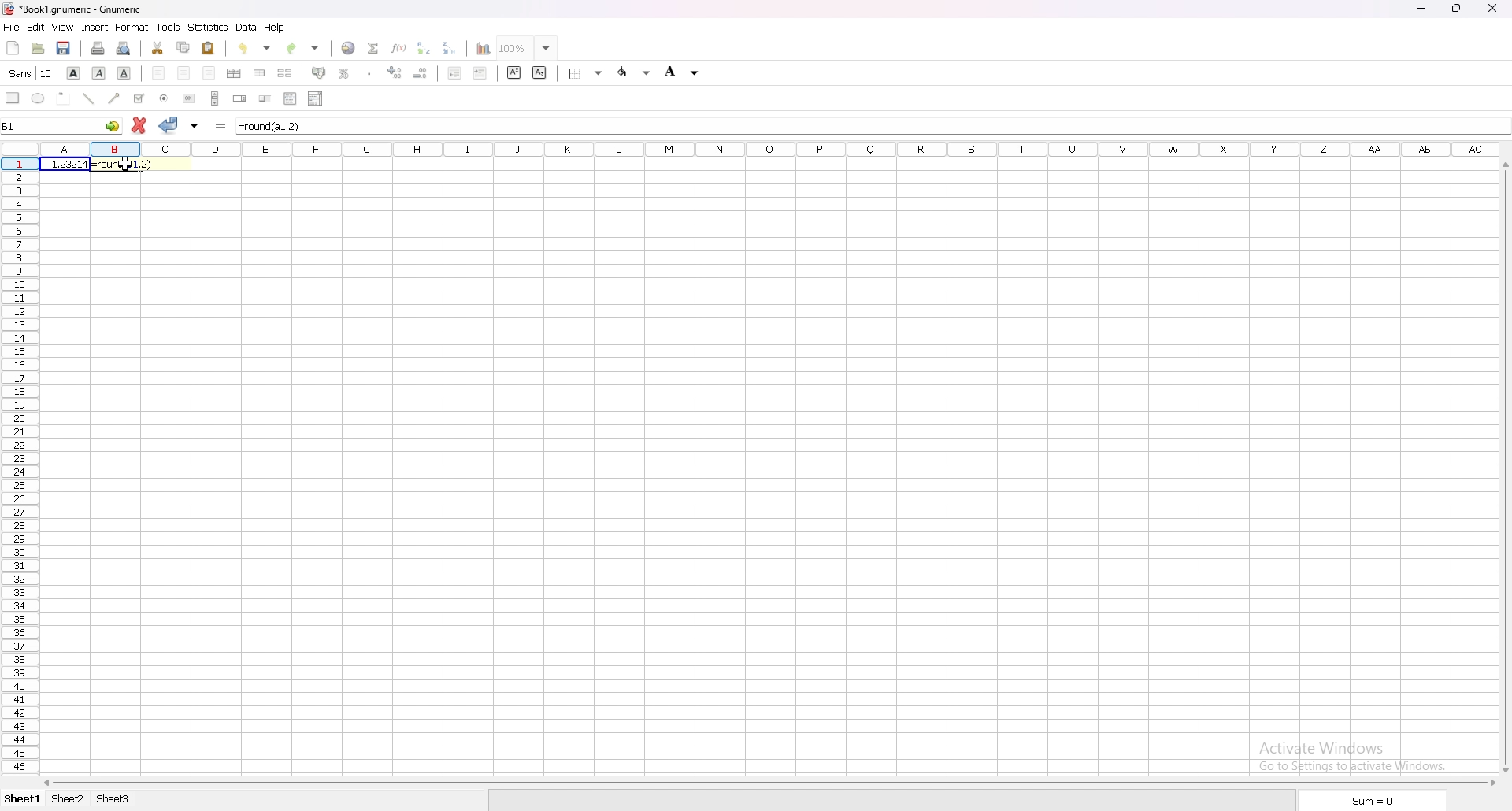 This screenshot has width=1512, height=811. Describe the element at coordinates (132, 27) in the screenshot. I see `format` at that location.